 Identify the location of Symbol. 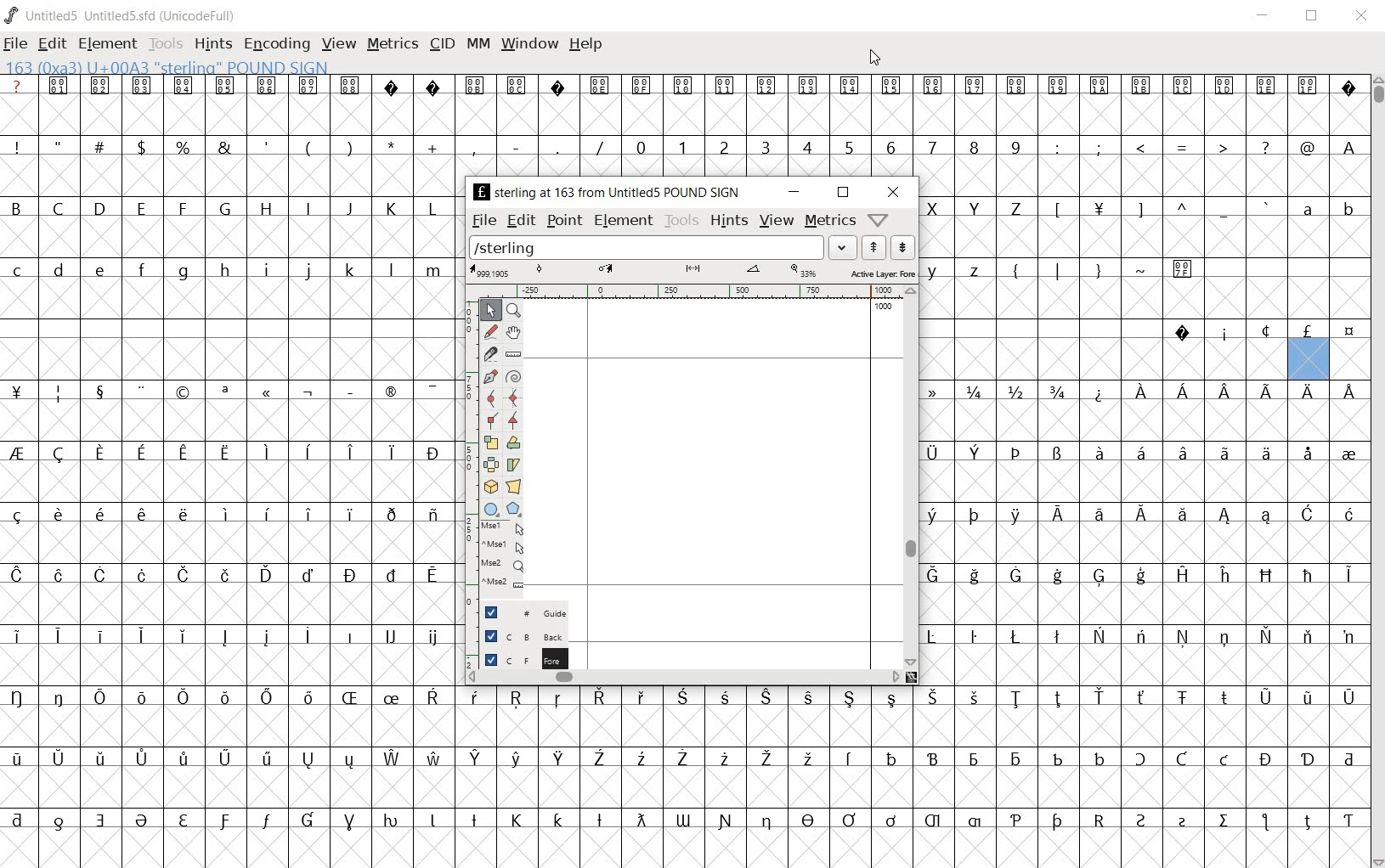
(184, 86).